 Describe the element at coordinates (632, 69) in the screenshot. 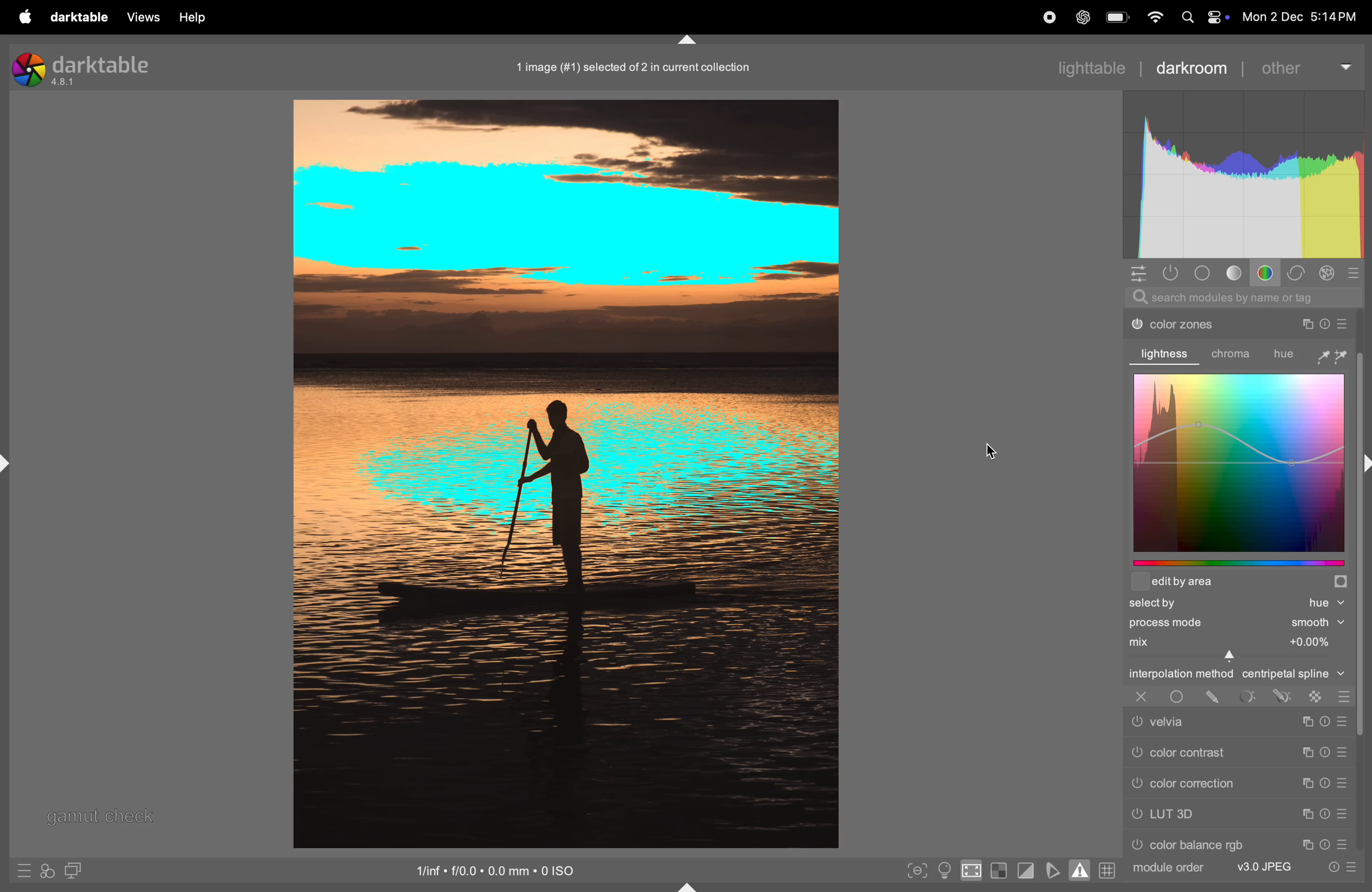

I see `1 image (#1) selected of 2 in current collection` at that location.